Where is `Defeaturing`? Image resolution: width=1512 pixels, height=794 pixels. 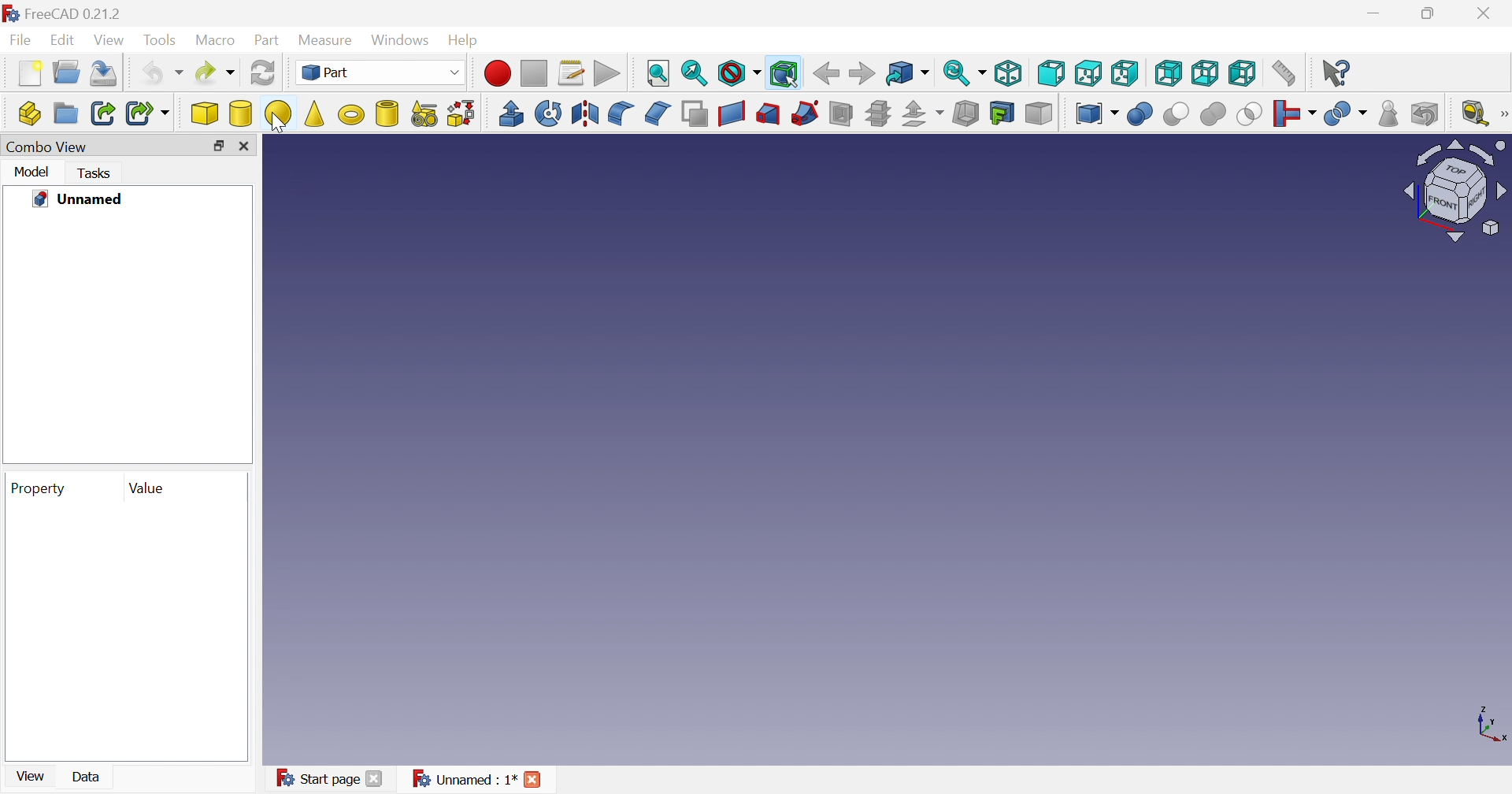
Defeaturing is located at coordinates (1426, 115).